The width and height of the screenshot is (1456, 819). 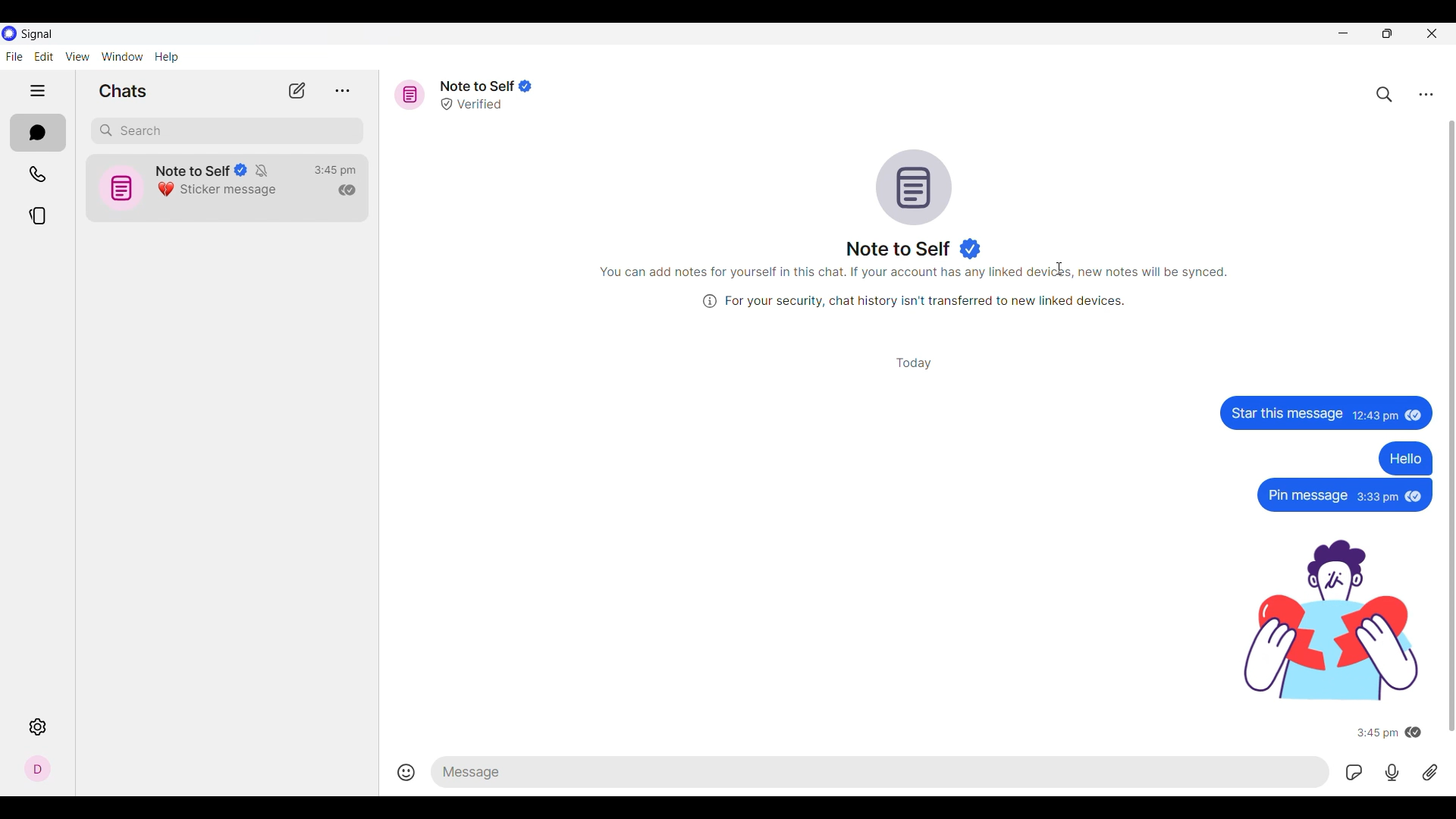 What do you see at coordinates (219, 190) in the screenshot?
I see `Sticker message` at bounding box center [219, 190].